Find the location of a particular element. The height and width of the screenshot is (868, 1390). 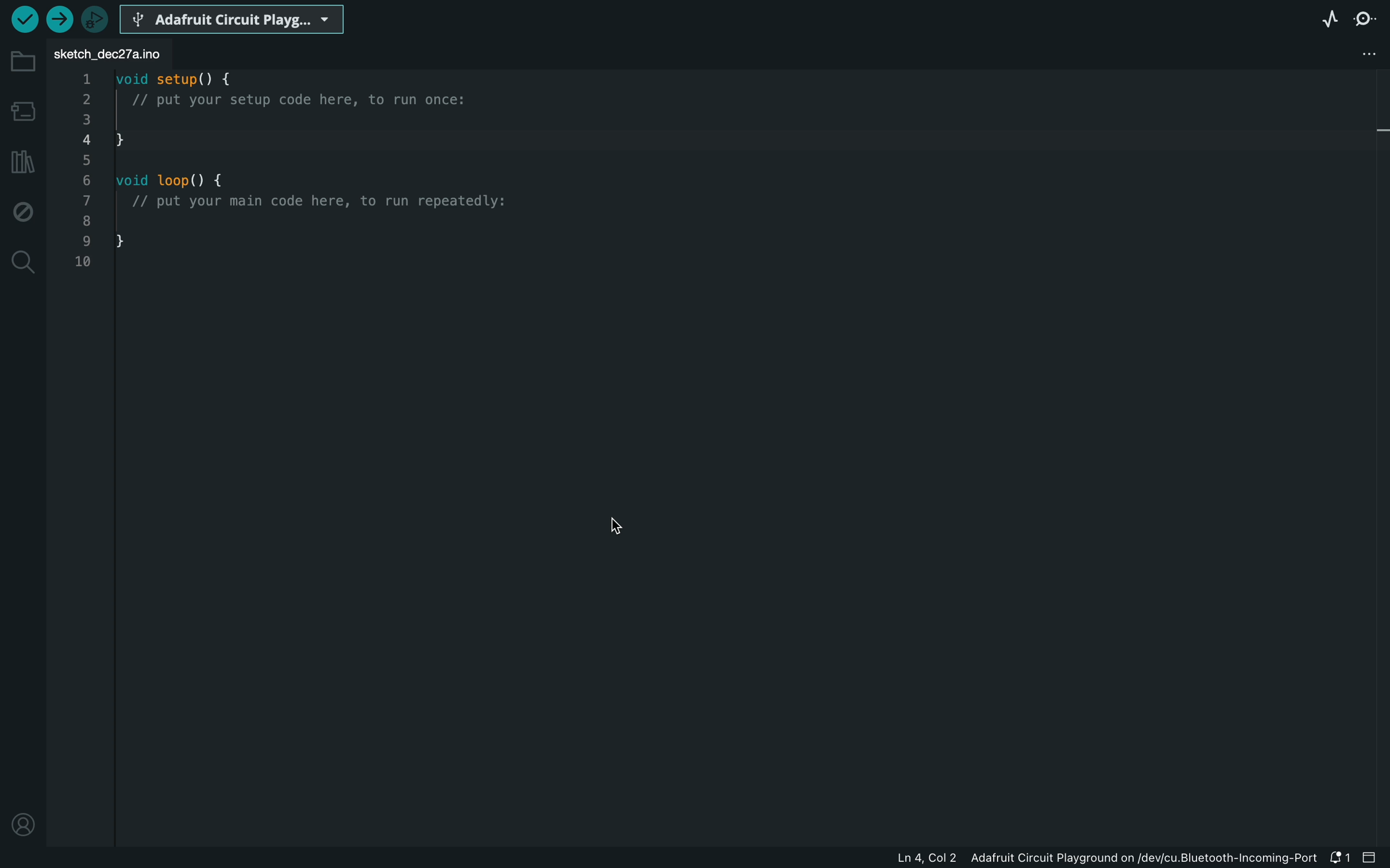

file information is located at coordinates (1091, 857).